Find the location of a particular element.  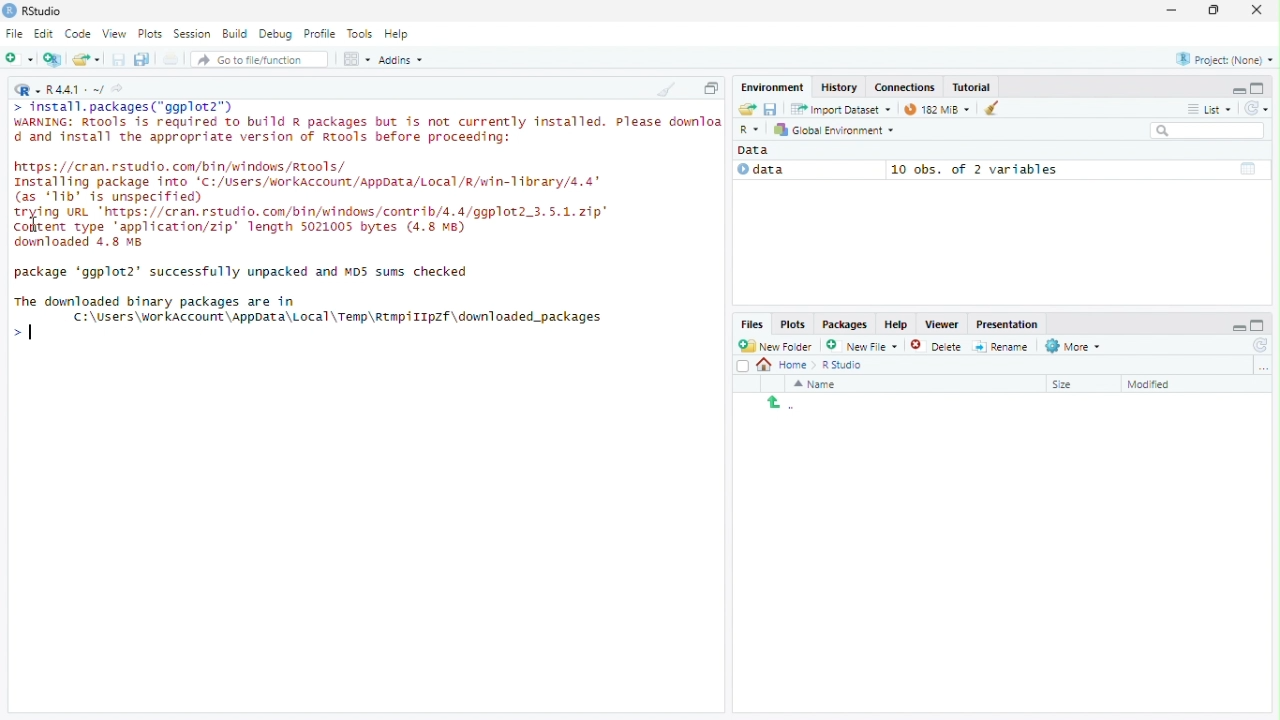

Create new file is located at coordinates (862, 345).